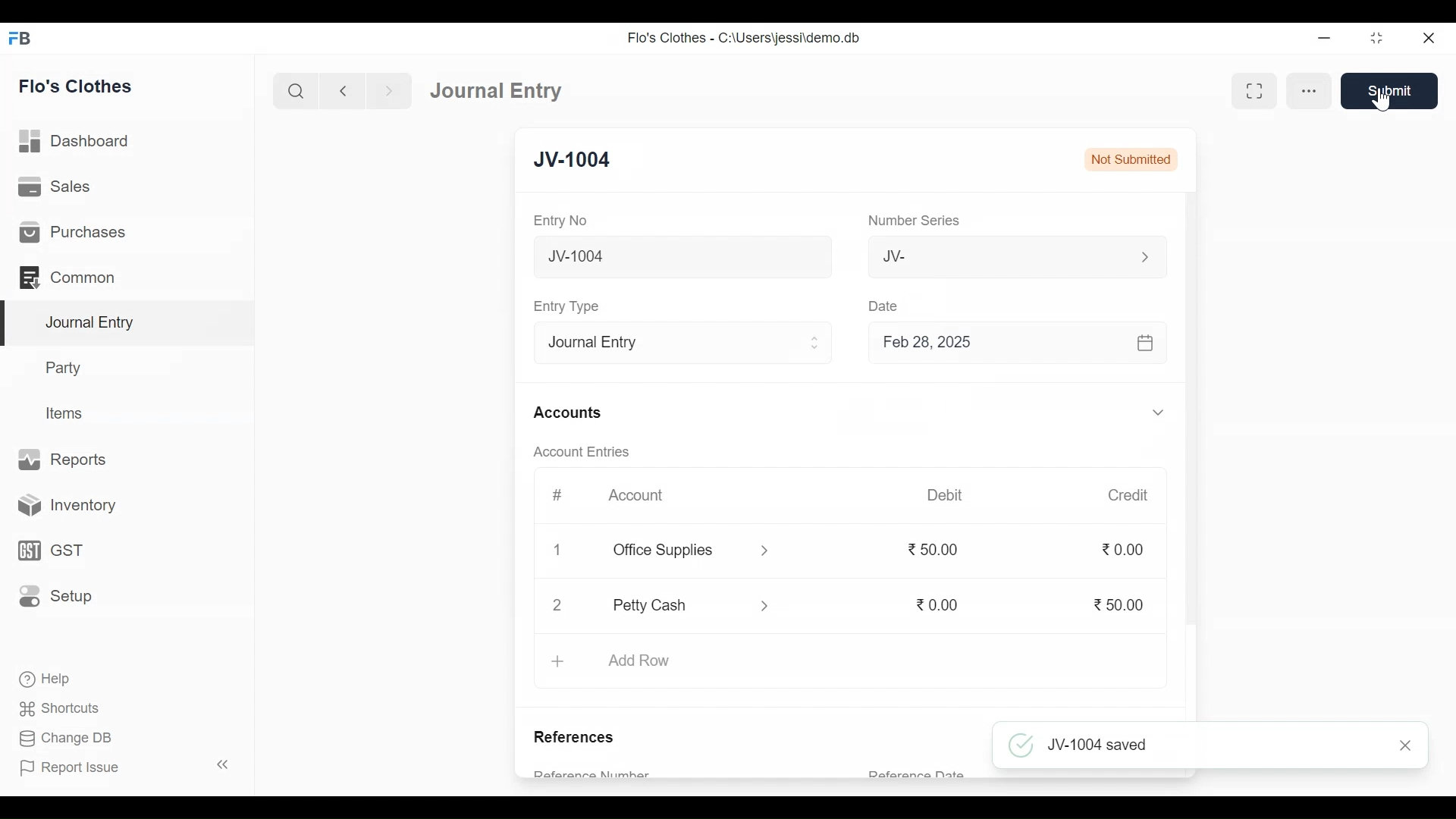 Image resolution: width=1456 pixels, height=819 pixels. Describe the element at coordinates (57, 186) in the screenshot. I see `Sales` at that location.